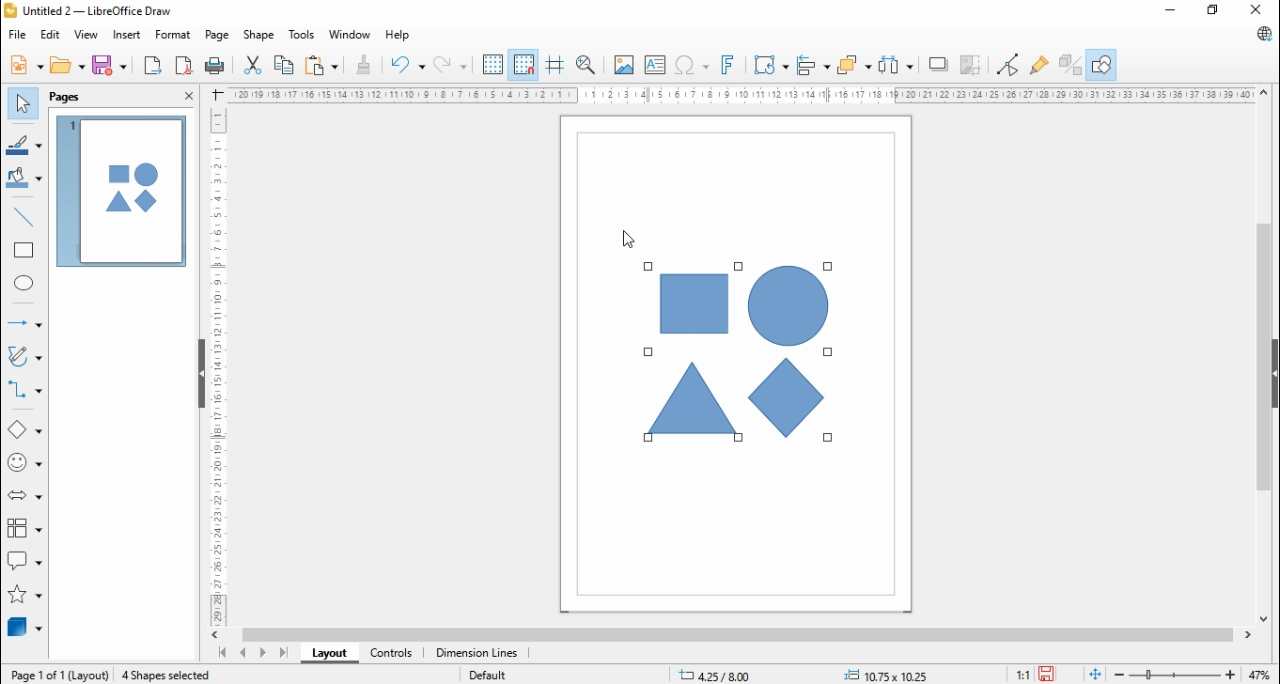  I want to click on show draw functions, so click(1104, 62).